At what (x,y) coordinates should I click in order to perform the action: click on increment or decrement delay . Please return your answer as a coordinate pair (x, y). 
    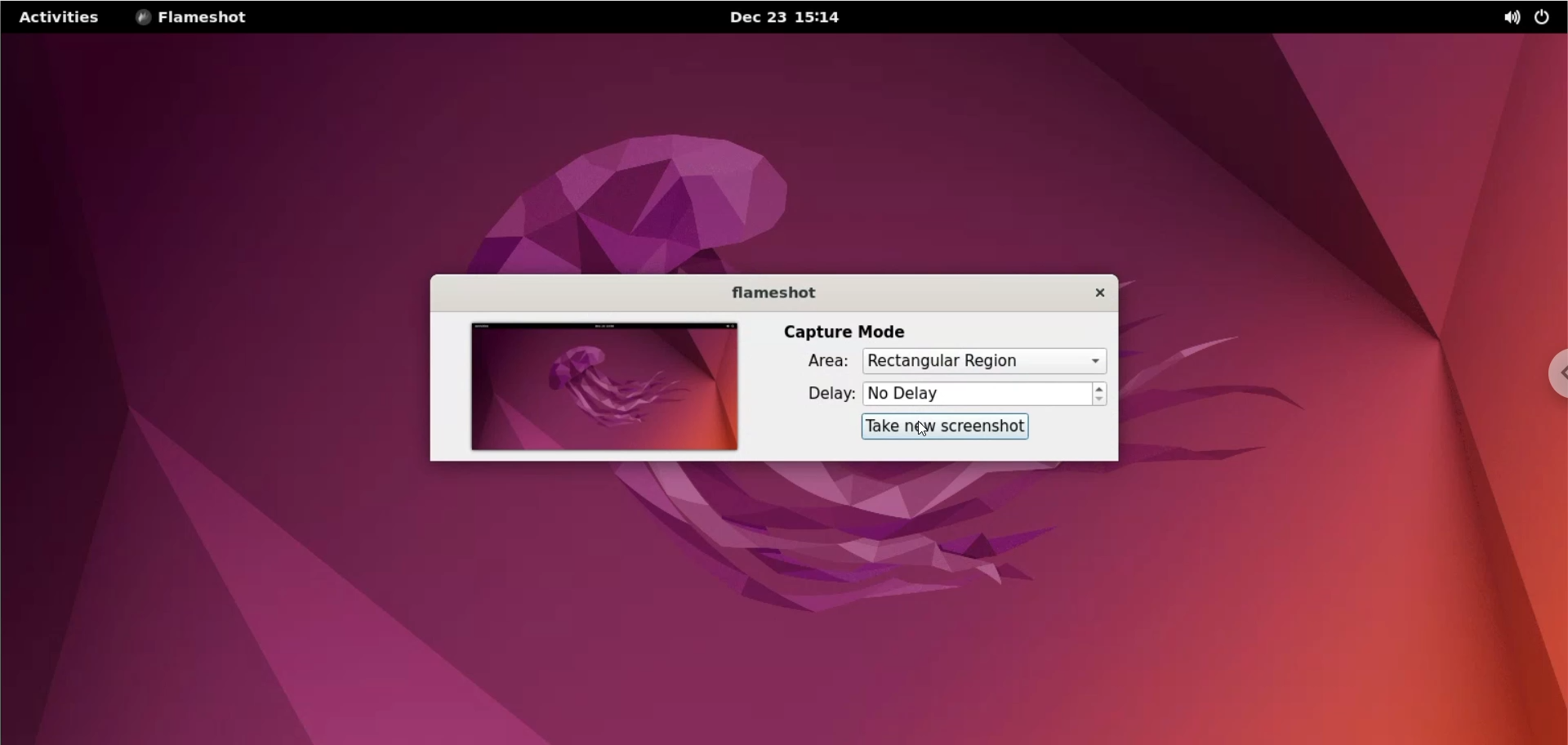
    Looking at the image, I should click on (1099, 394).